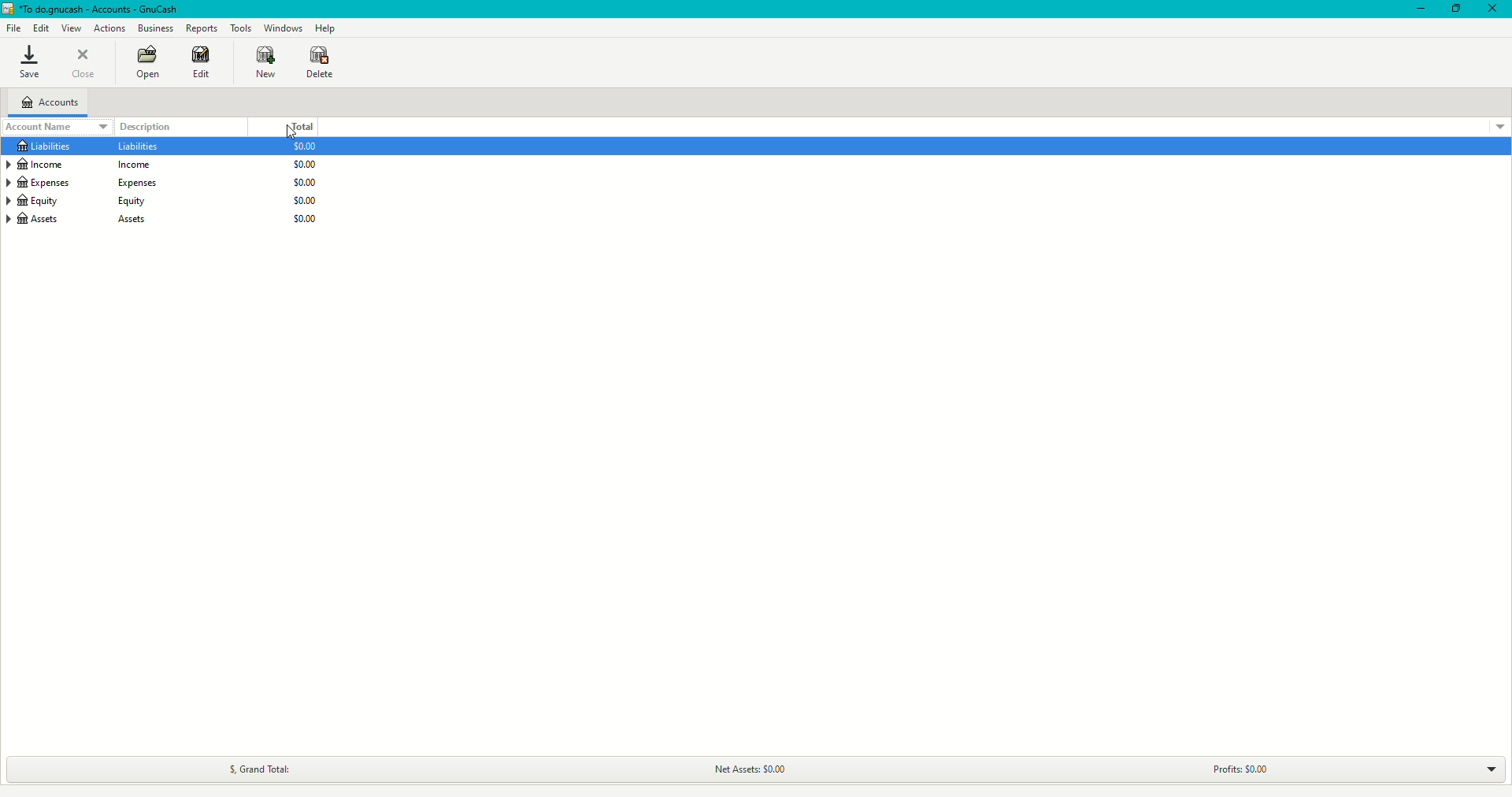 The height and width of the screenshot is (797, 1512). I want to click on mouse pointer, so click(291, 132).